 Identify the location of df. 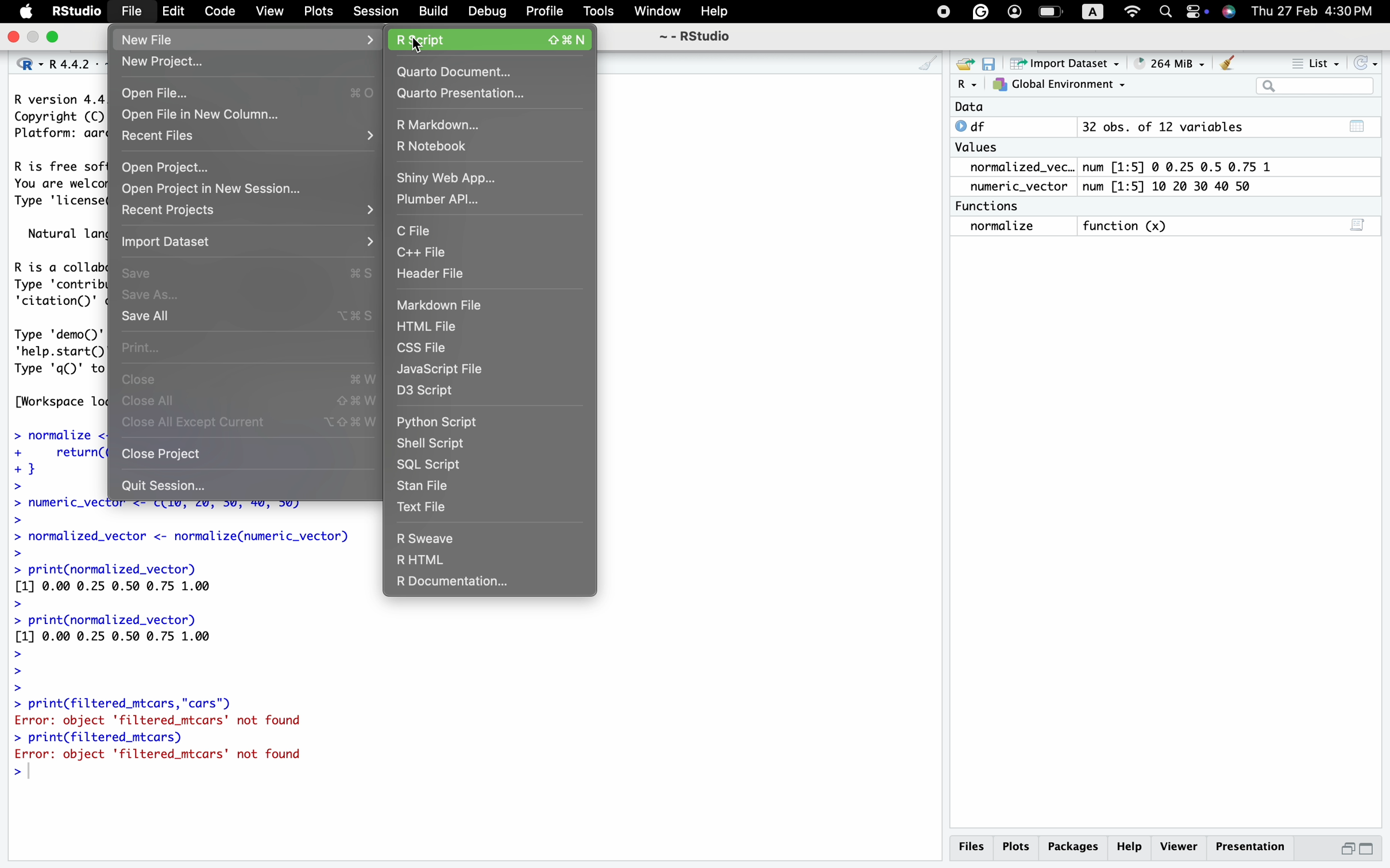
(979, 126).